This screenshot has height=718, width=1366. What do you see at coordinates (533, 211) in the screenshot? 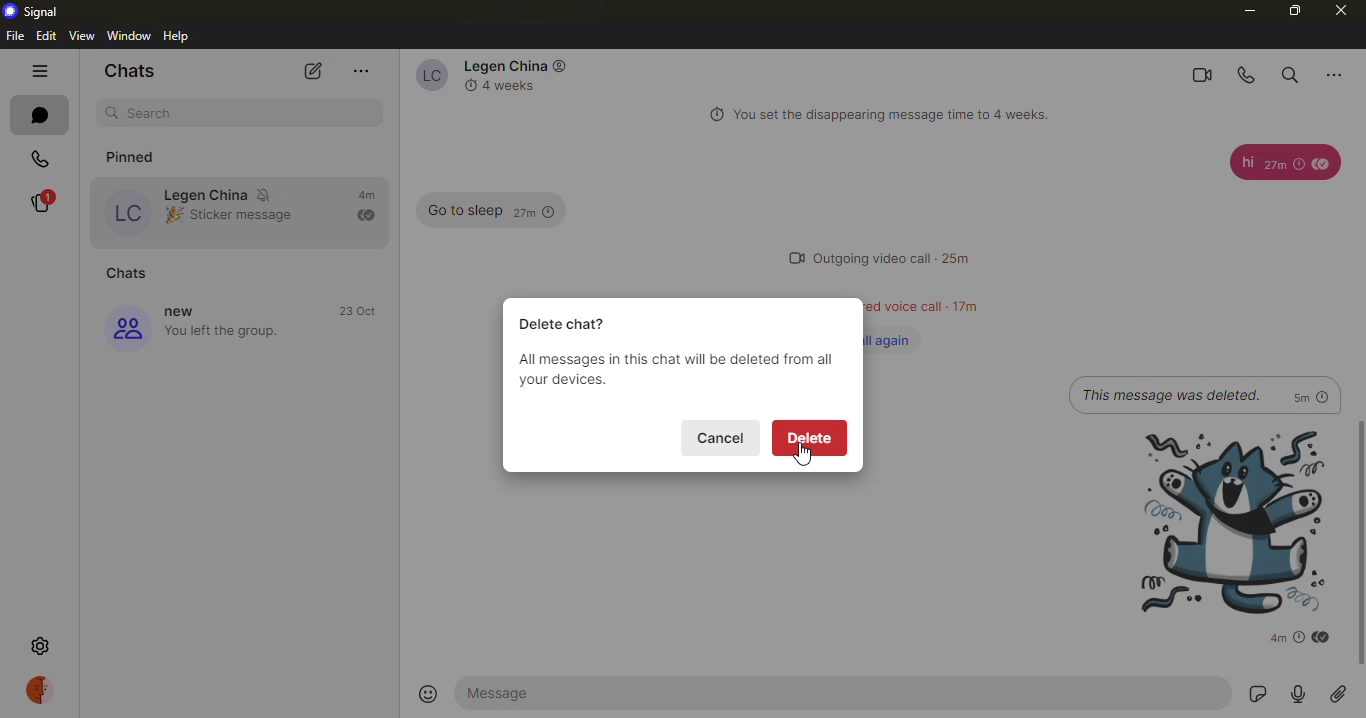
I see `time` at bounding box center [533, 211].